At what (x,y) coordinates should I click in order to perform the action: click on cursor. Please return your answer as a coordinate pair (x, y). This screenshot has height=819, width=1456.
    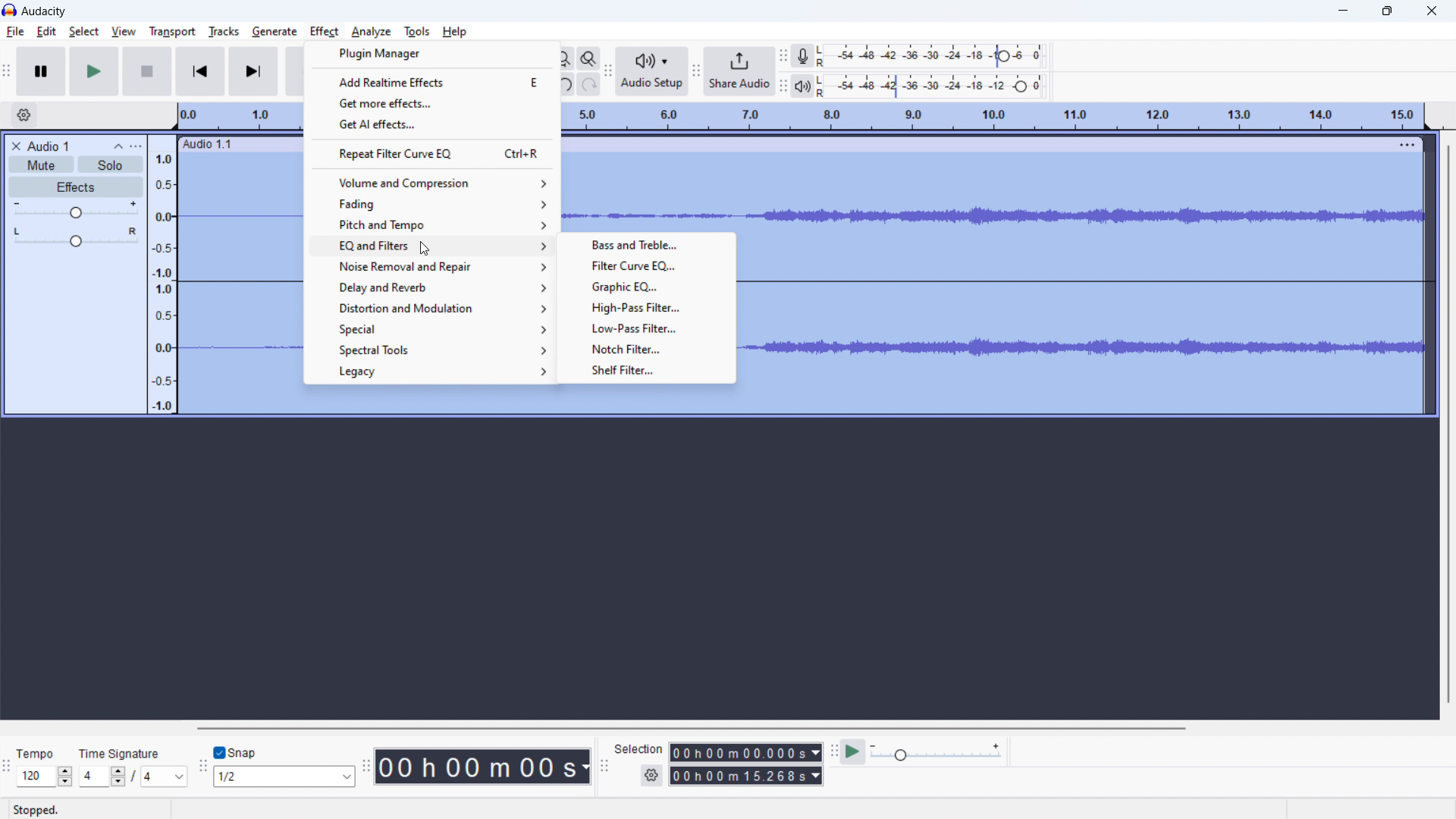
    Looking at the image, I should click on (421, 246).